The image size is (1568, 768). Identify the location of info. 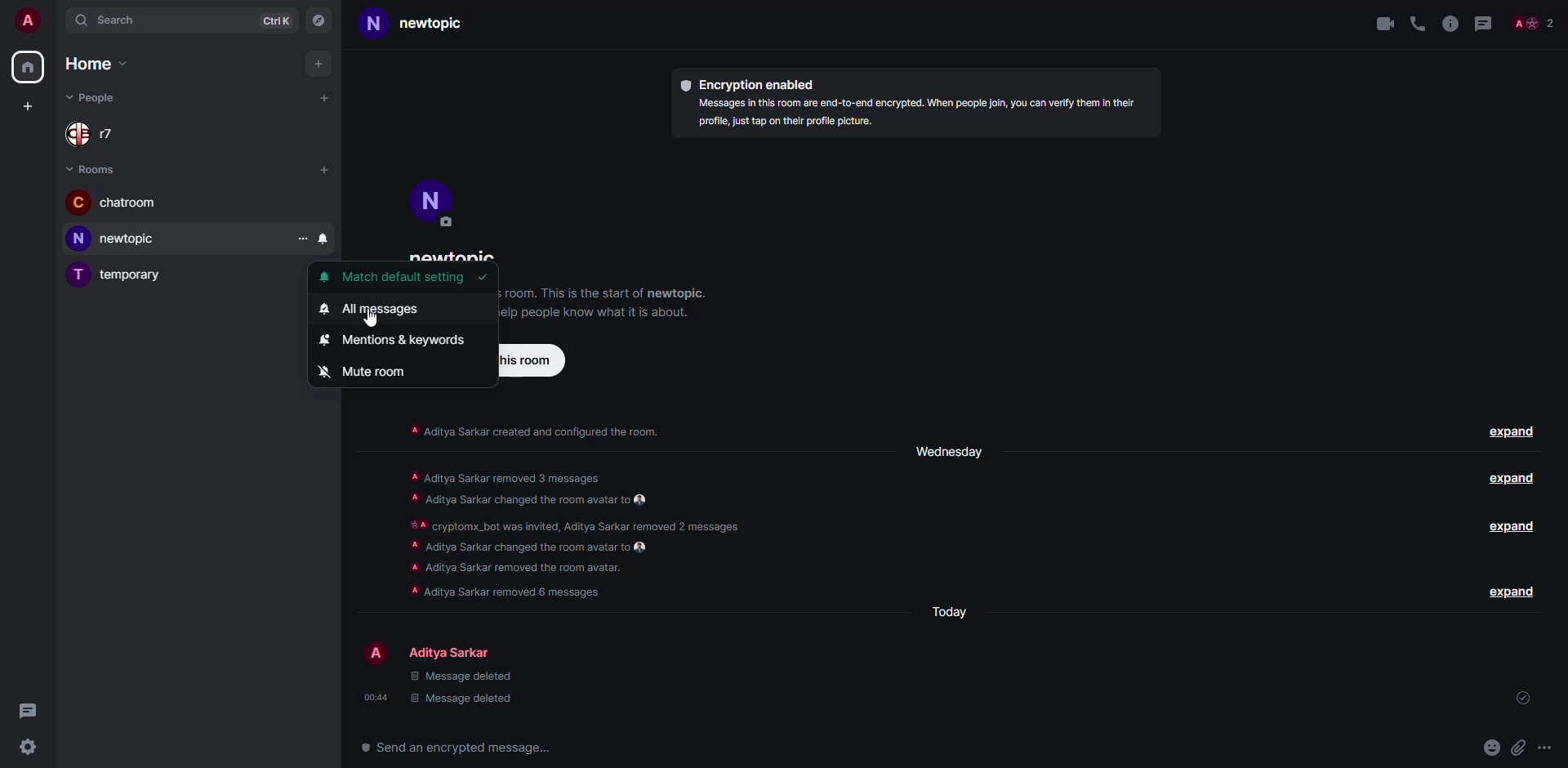
(601, 316).